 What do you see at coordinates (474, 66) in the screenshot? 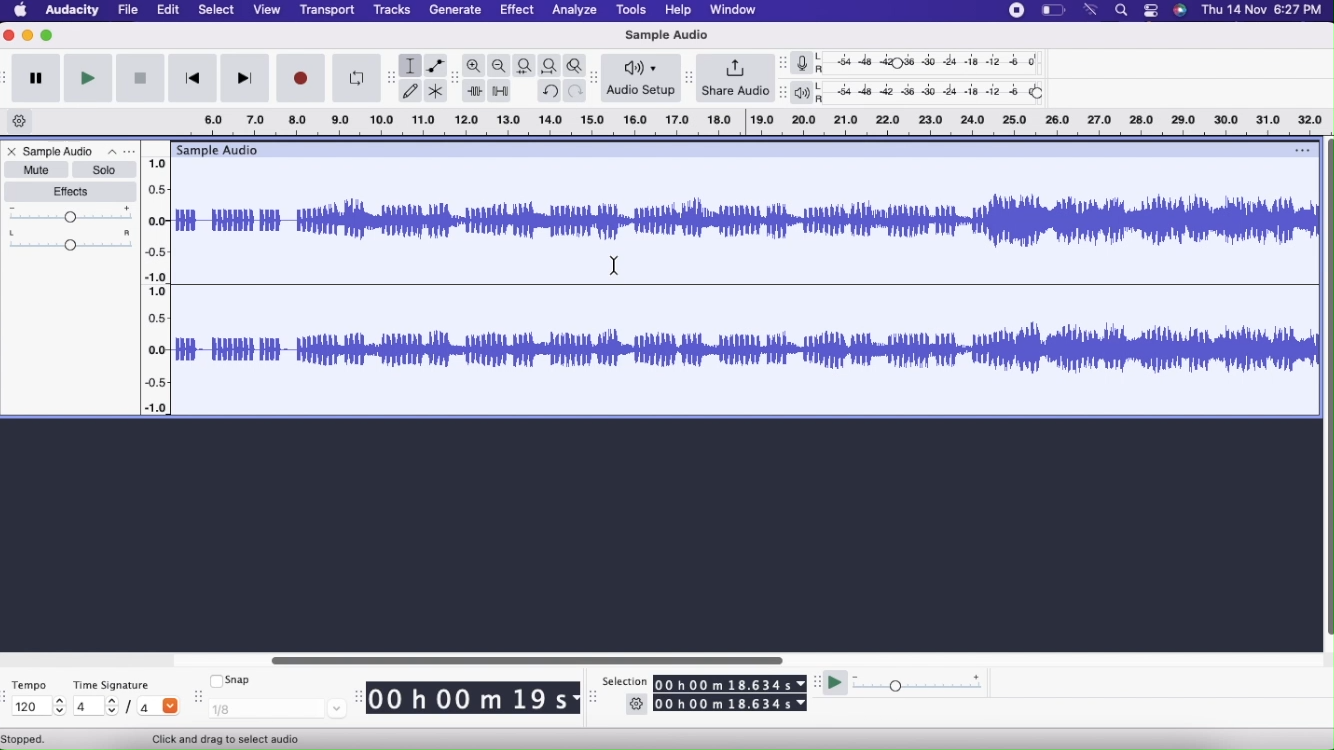
I see `Zoom In` at bounding box center [474, 66].